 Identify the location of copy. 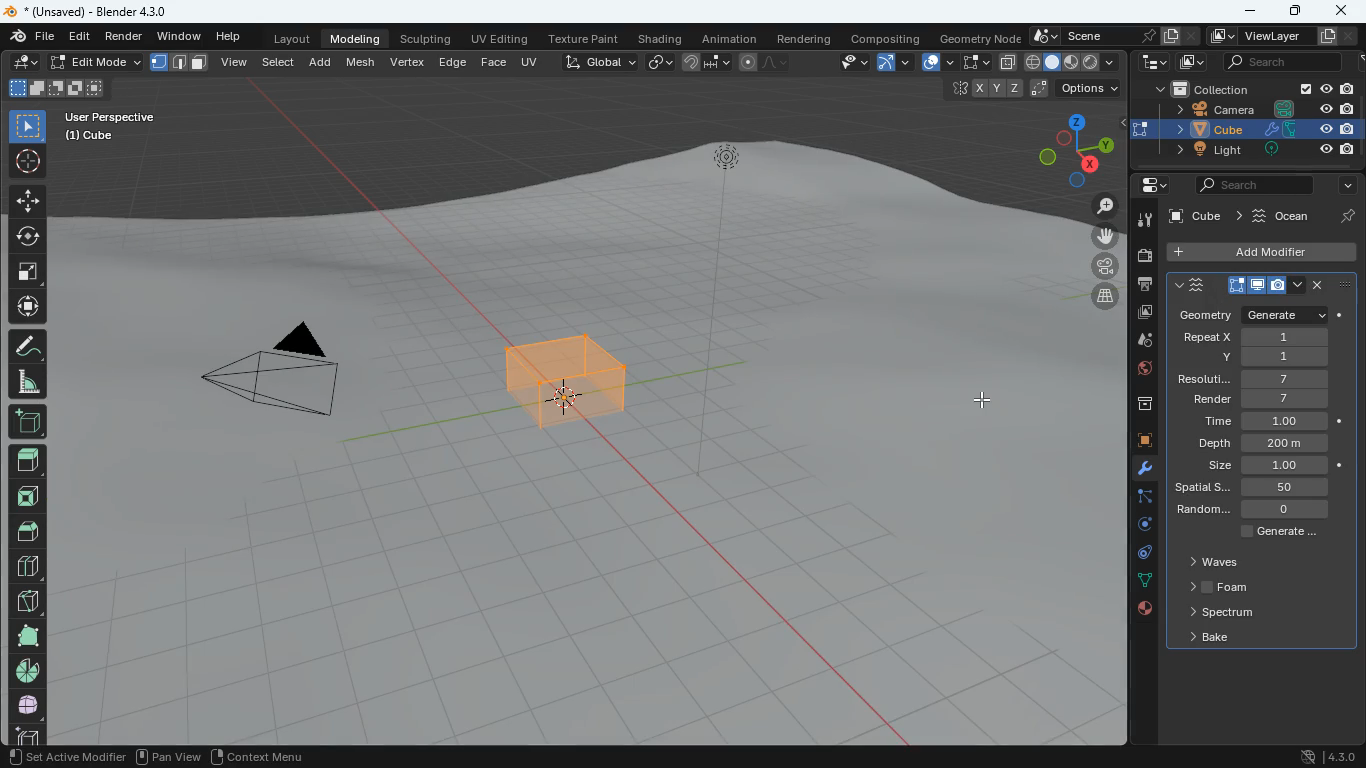
(1008, 63).